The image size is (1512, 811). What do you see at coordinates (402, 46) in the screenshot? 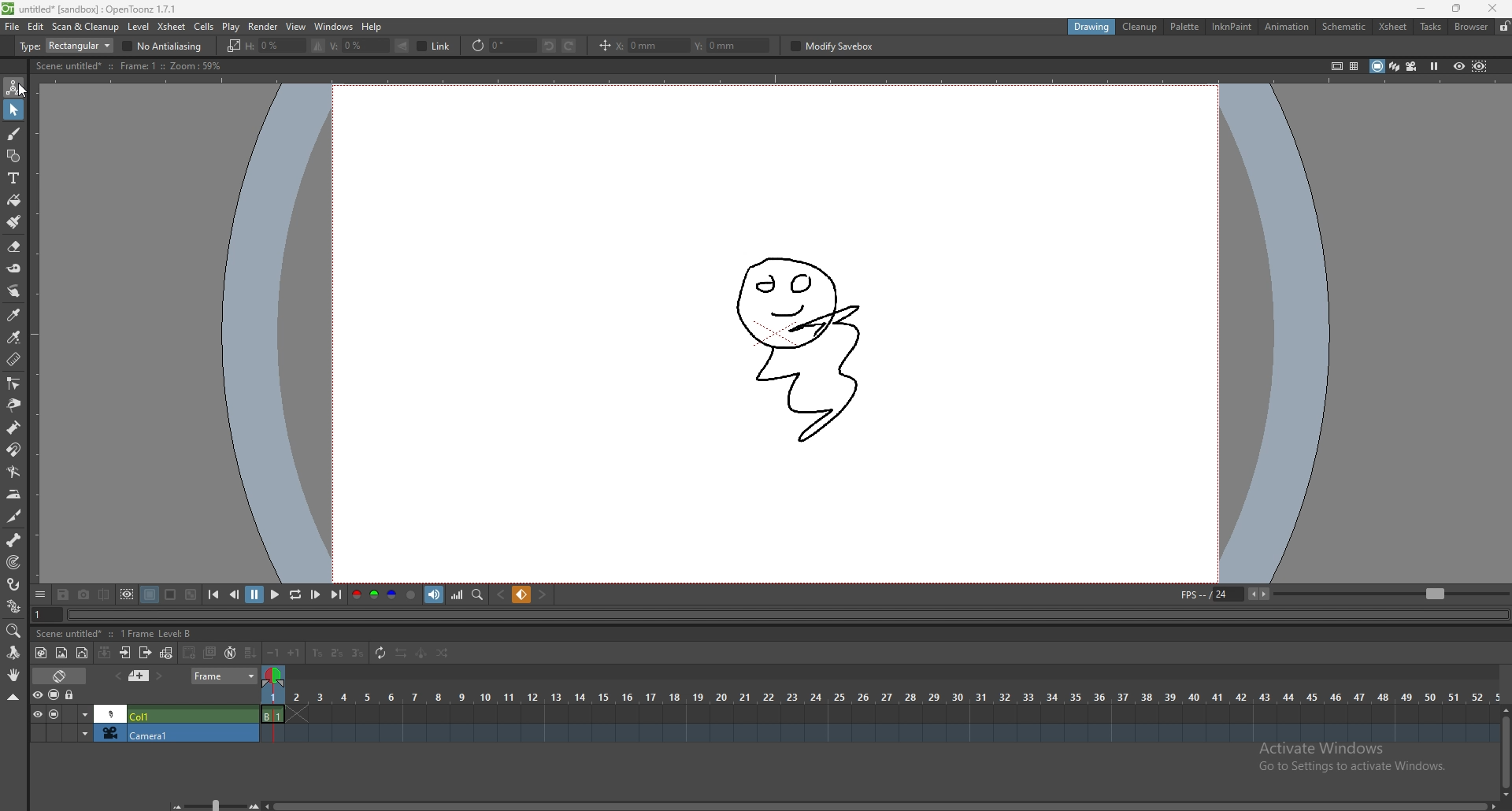
I see `flip section vertically` at bounding box center [402, 46].